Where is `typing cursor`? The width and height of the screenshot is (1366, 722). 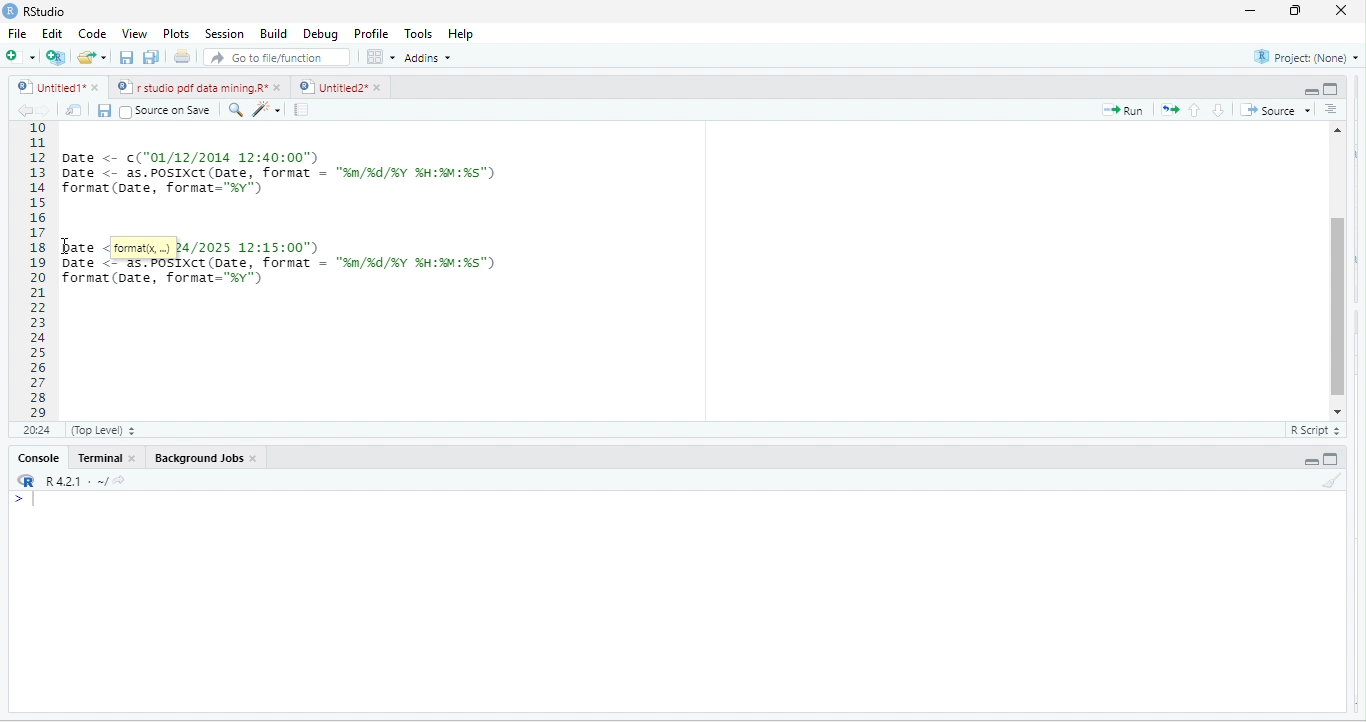
typing cursor is located at coordinates (35, 507).